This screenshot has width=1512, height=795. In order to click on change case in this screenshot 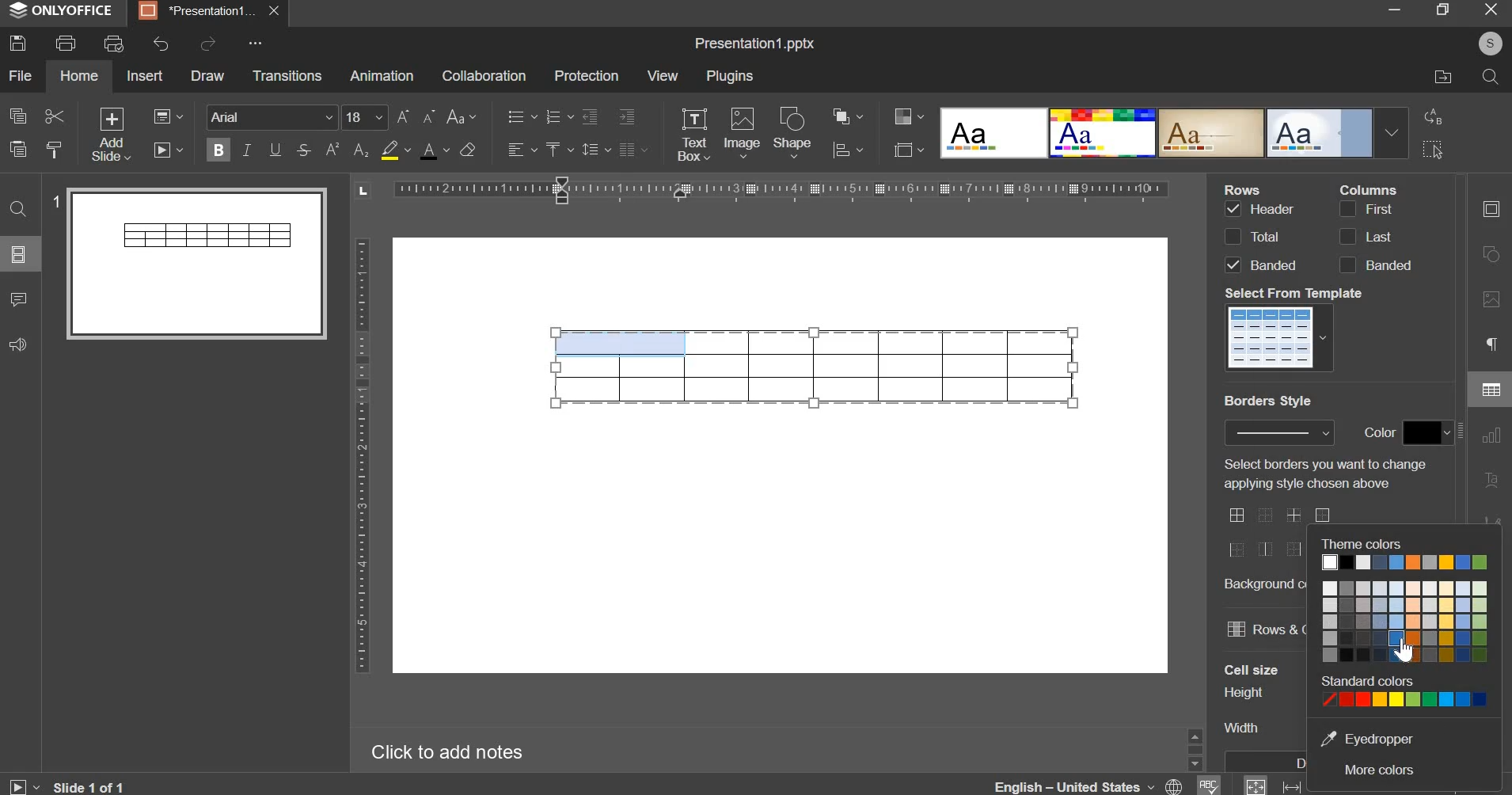, I will do `click(461, 117)`.